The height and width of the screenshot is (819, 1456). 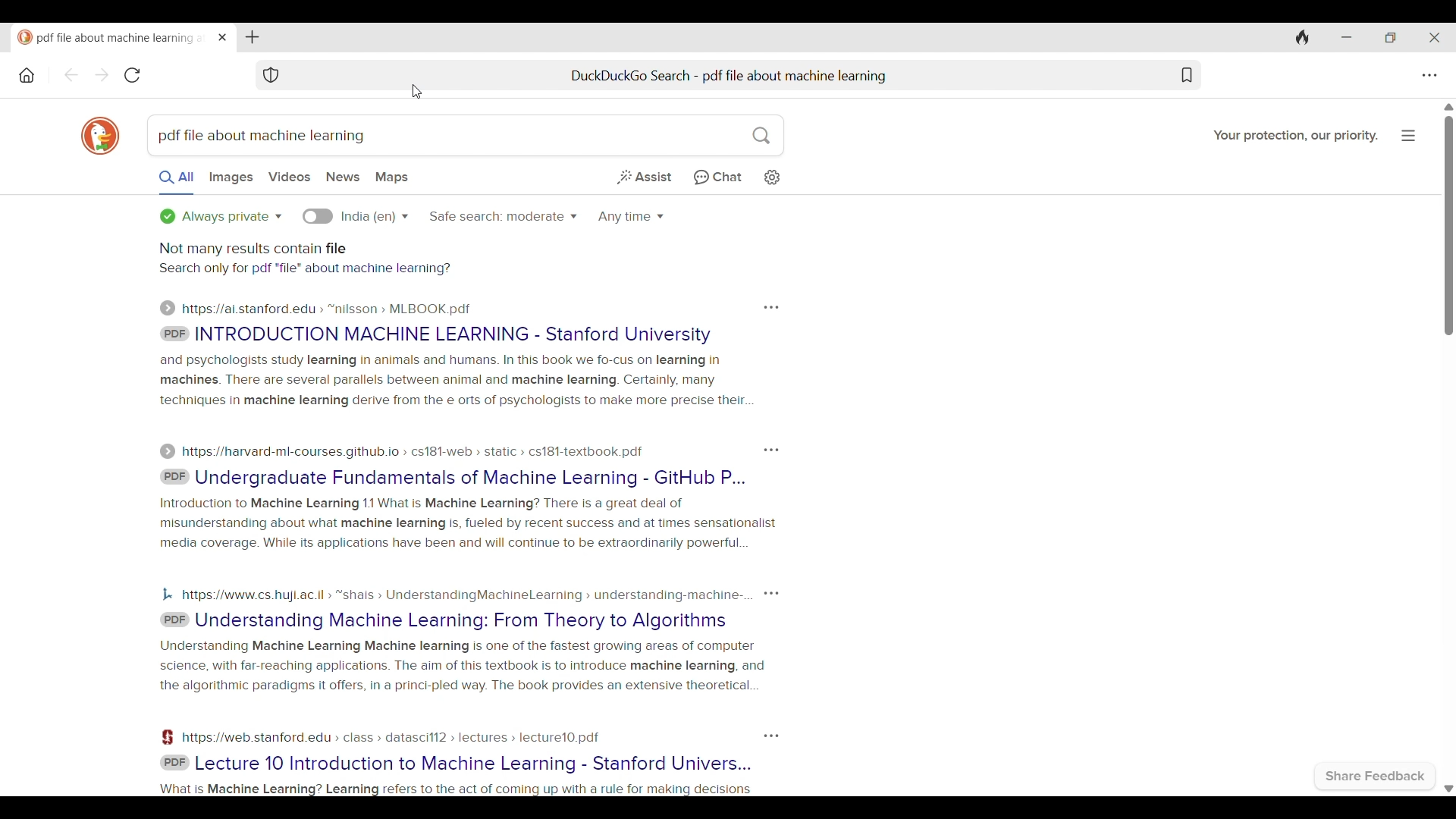 I want to click on Language options, so click(x=375, y=218).